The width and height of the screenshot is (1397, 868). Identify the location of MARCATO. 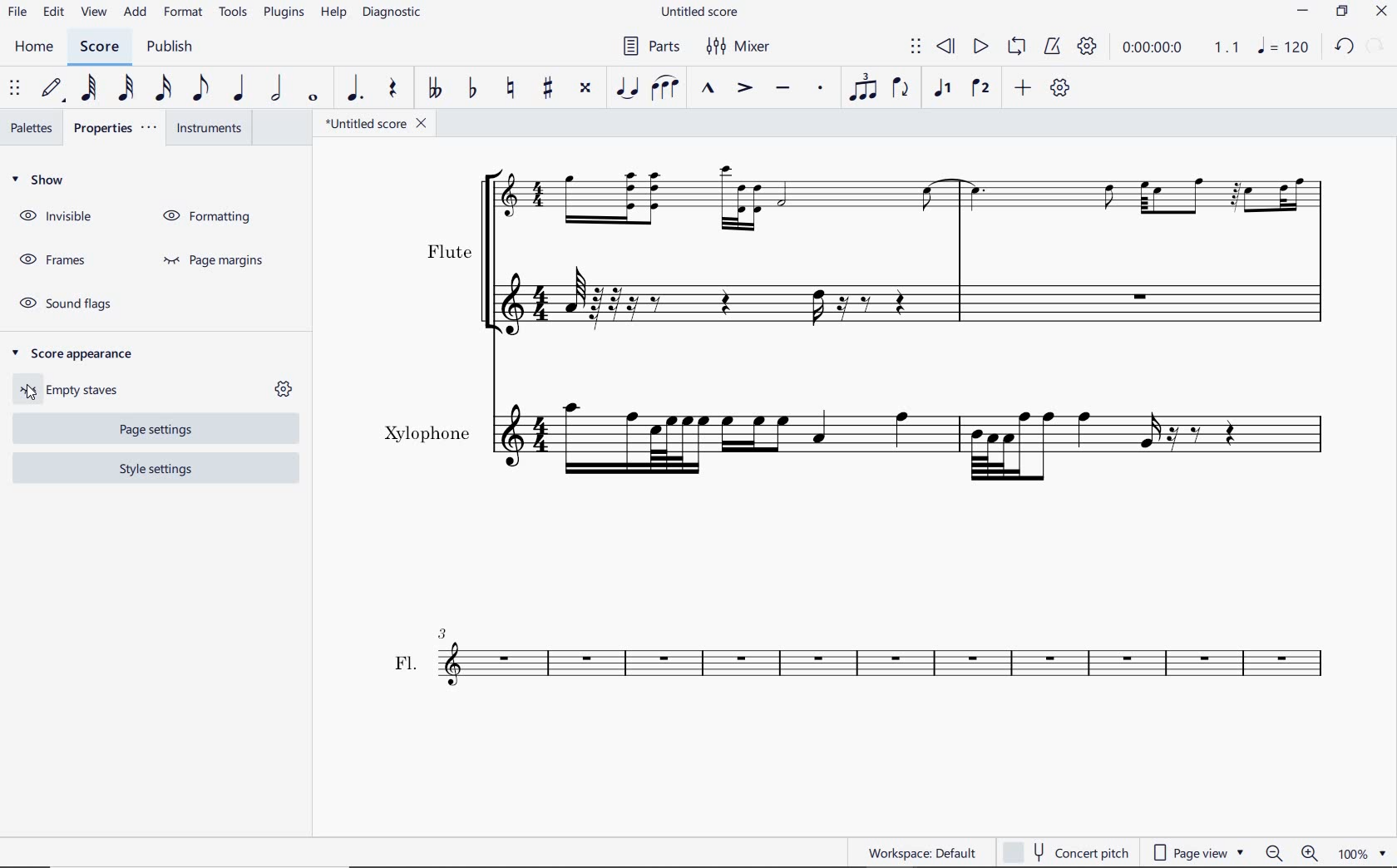
(708, 89).